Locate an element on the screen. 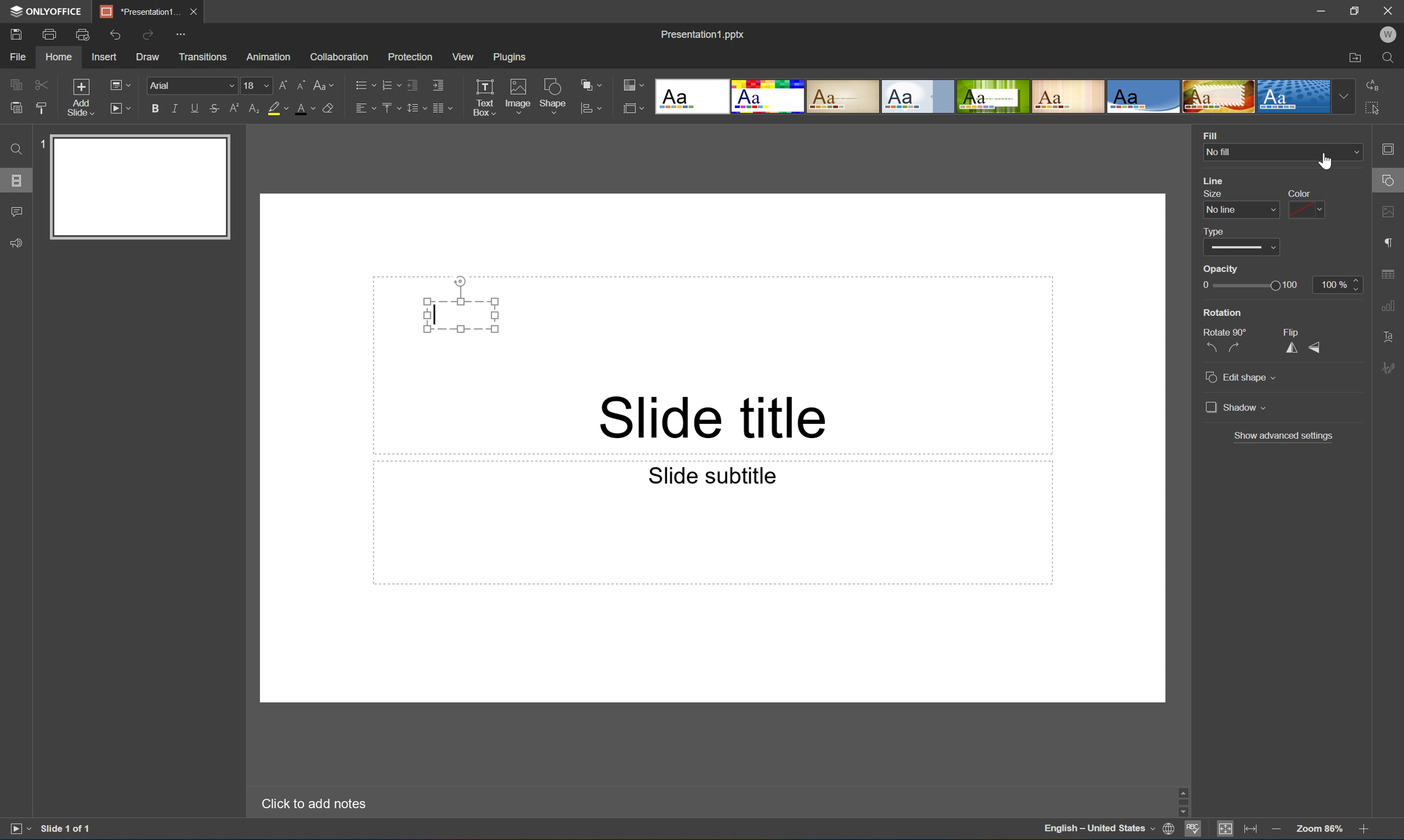 Image resolution: width=1404 pixels, height=840 pixels. Add slide is located at coordinates (78, 98).